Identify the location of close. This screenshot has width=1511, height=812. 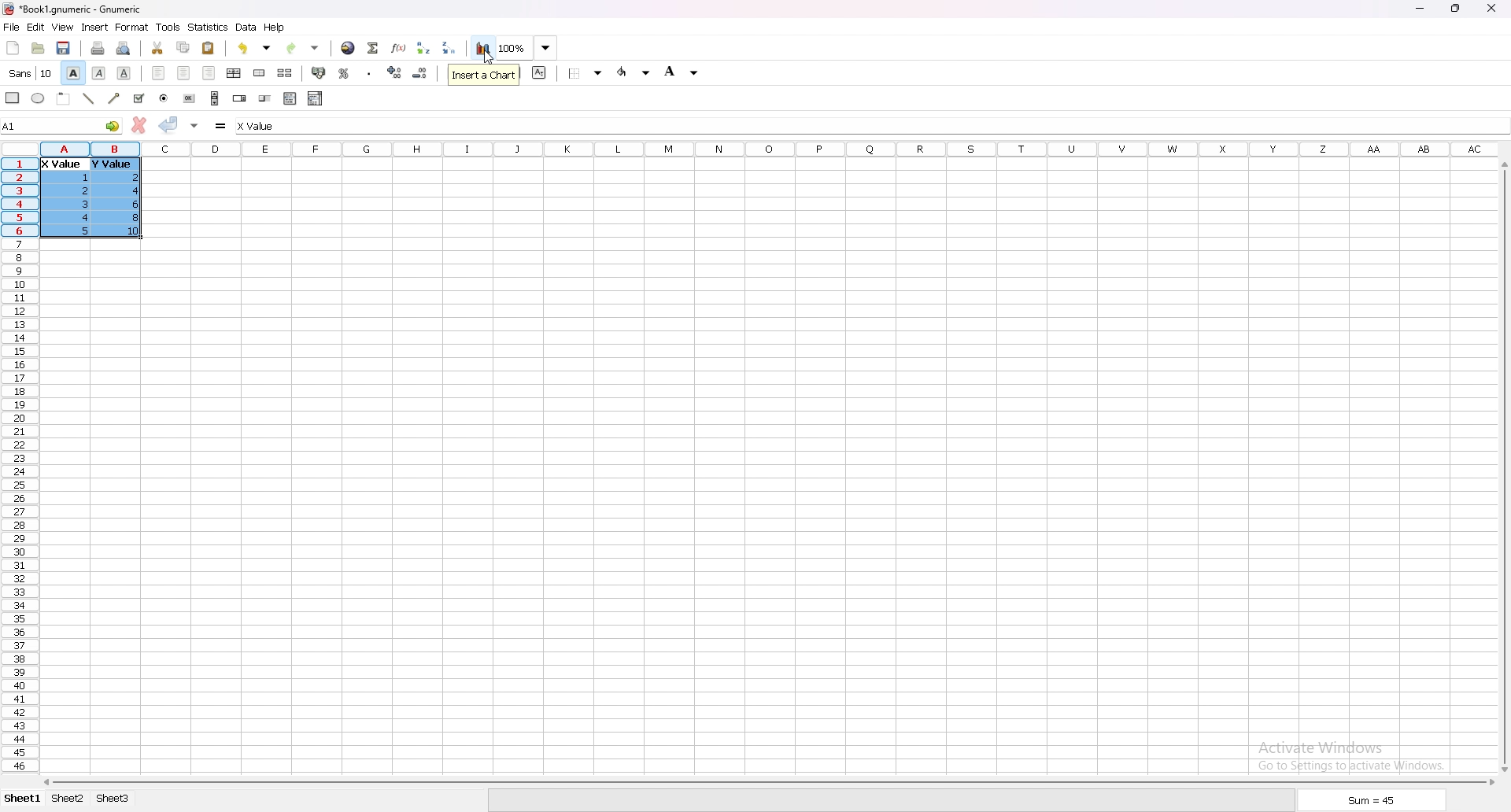
(1491, 8).